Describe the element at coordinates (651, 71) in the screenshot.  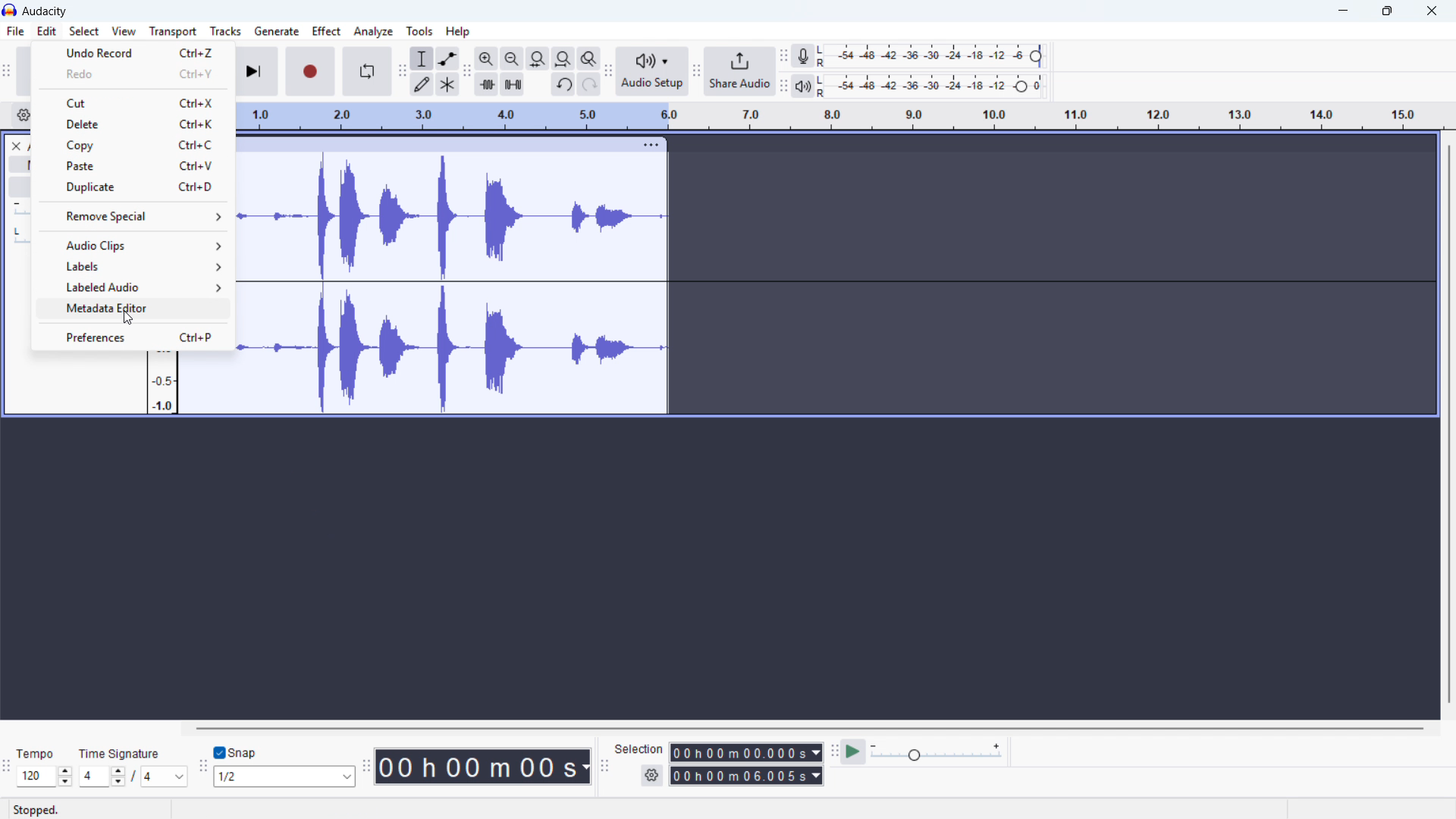
I see `audio setup` at that location.